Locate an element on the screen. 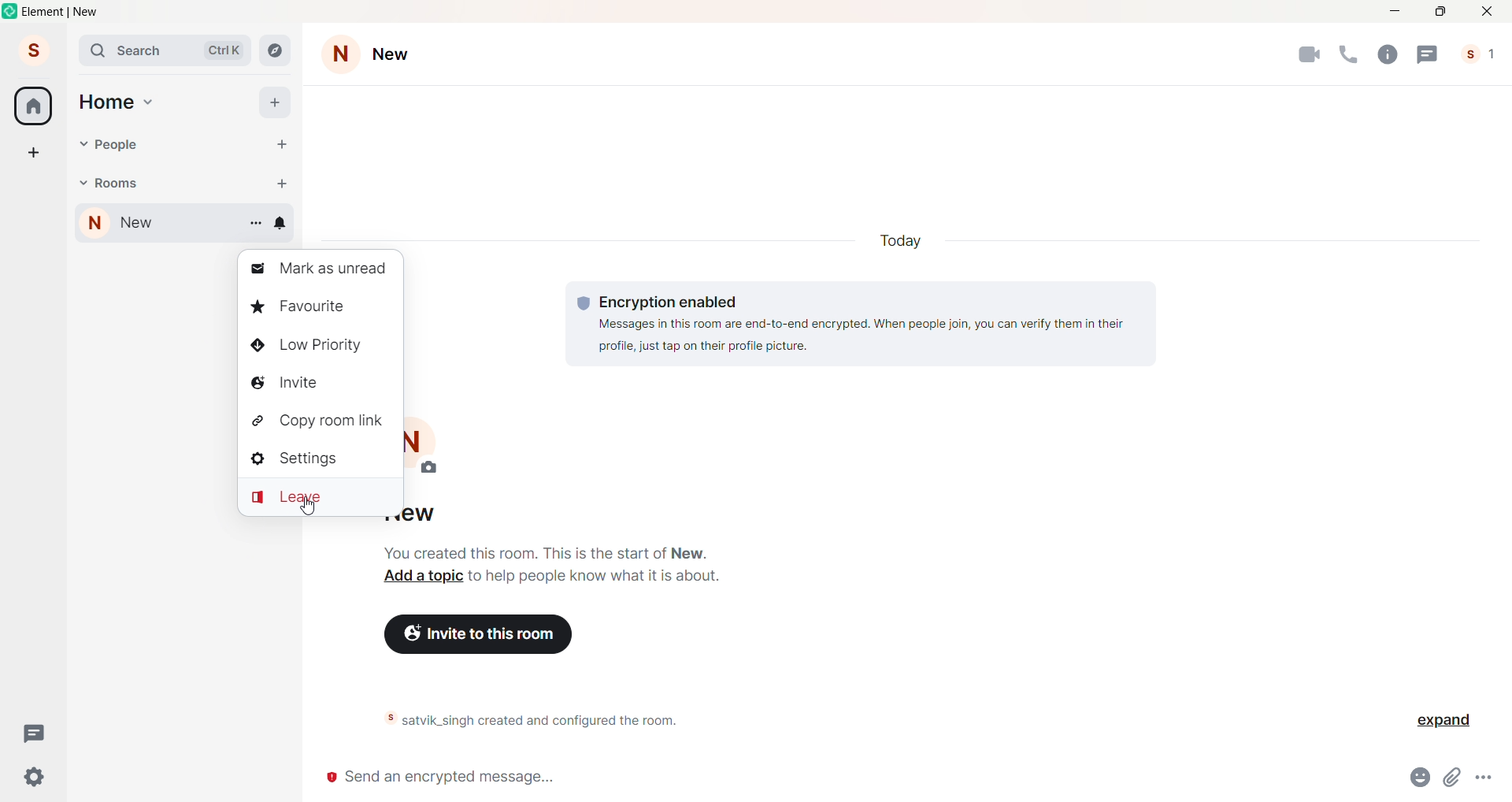 The width and height of the screenshot is (1512, 802). element | new is located at coordinates (76, 13).